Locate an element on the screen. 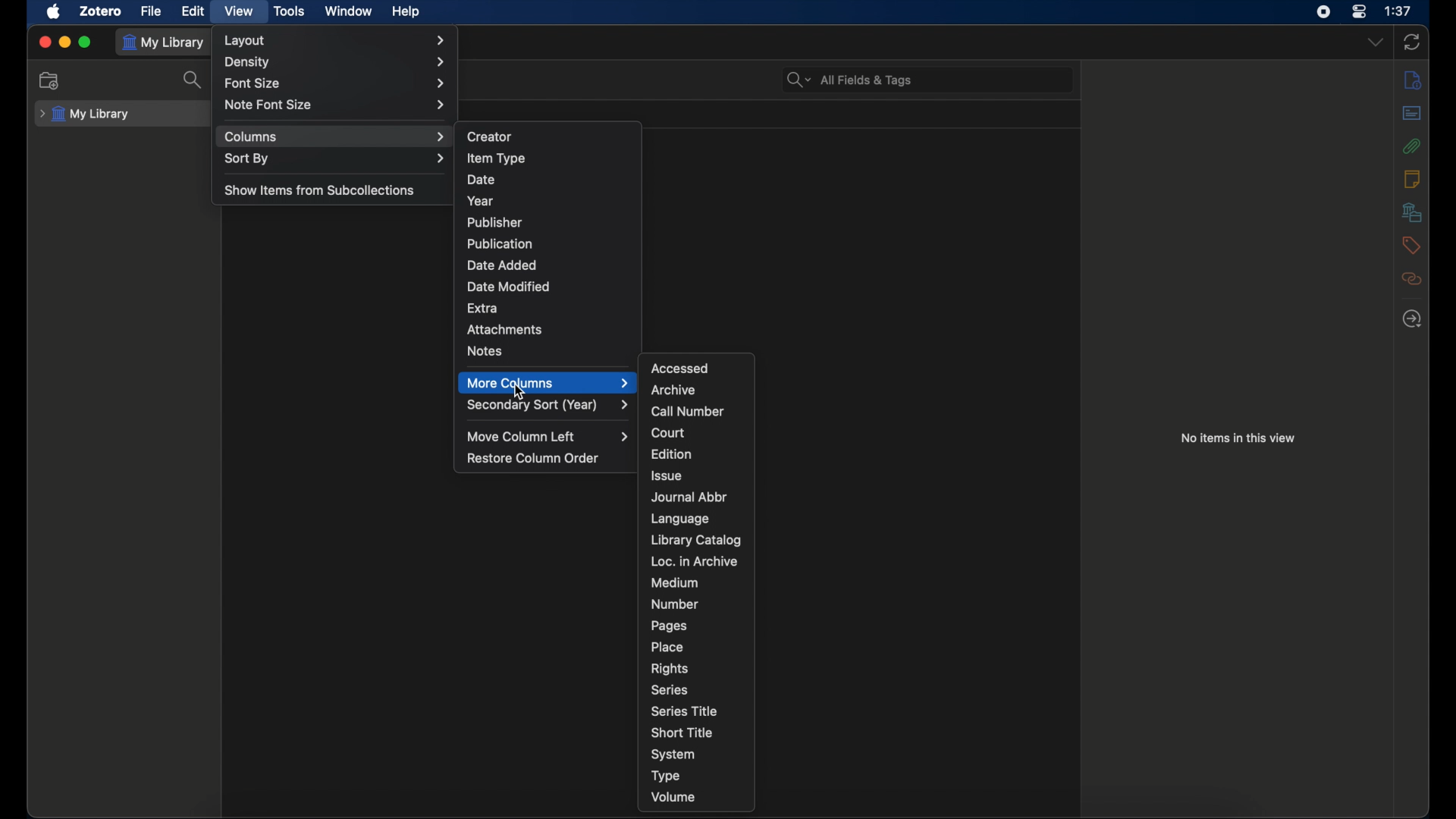 This screenshot has width=1456, height=819. screen recorder is located at coordinates (1323, 11).